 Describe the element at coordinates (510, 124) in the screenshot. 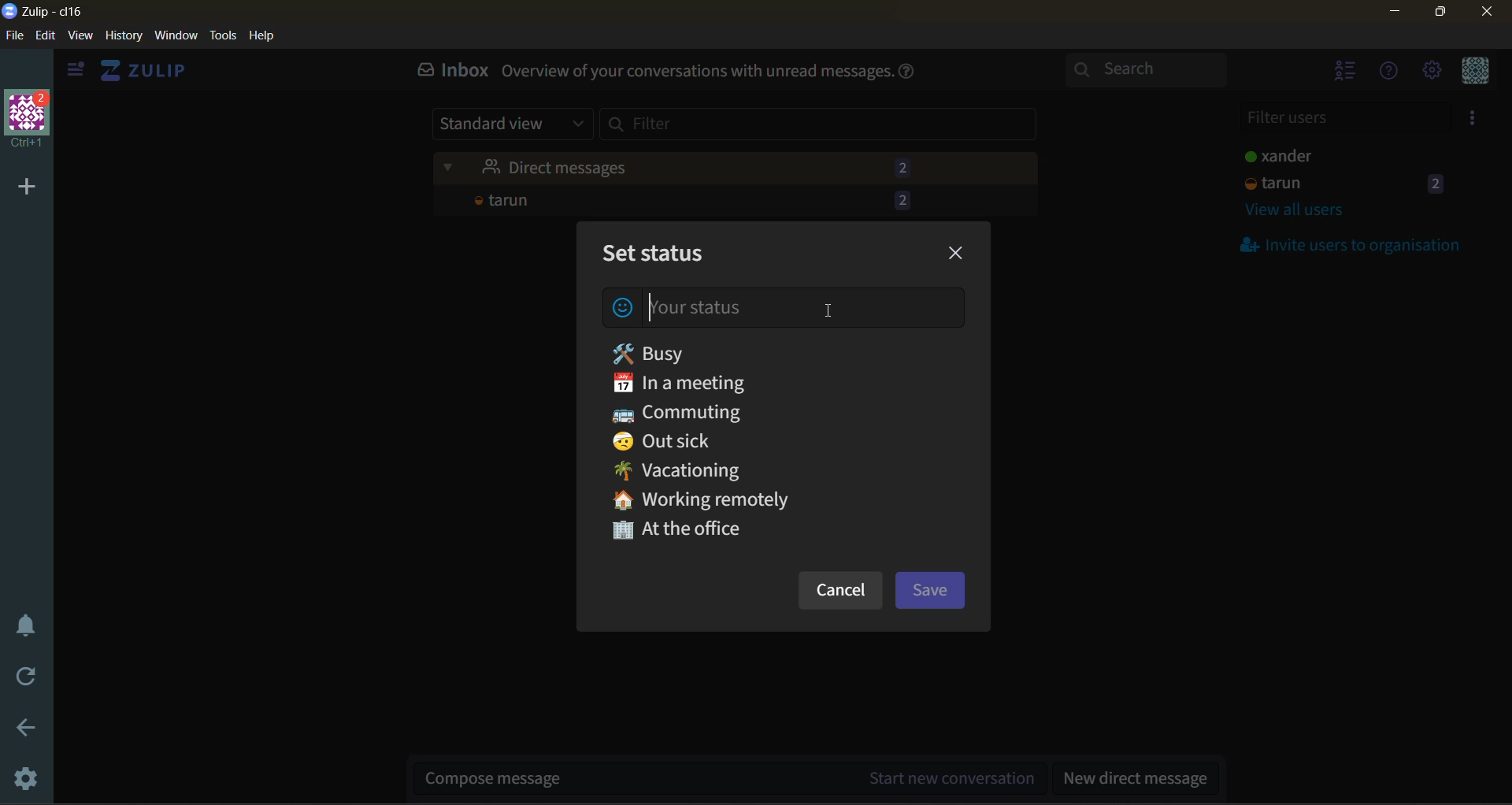

I see `standard view` at that location.